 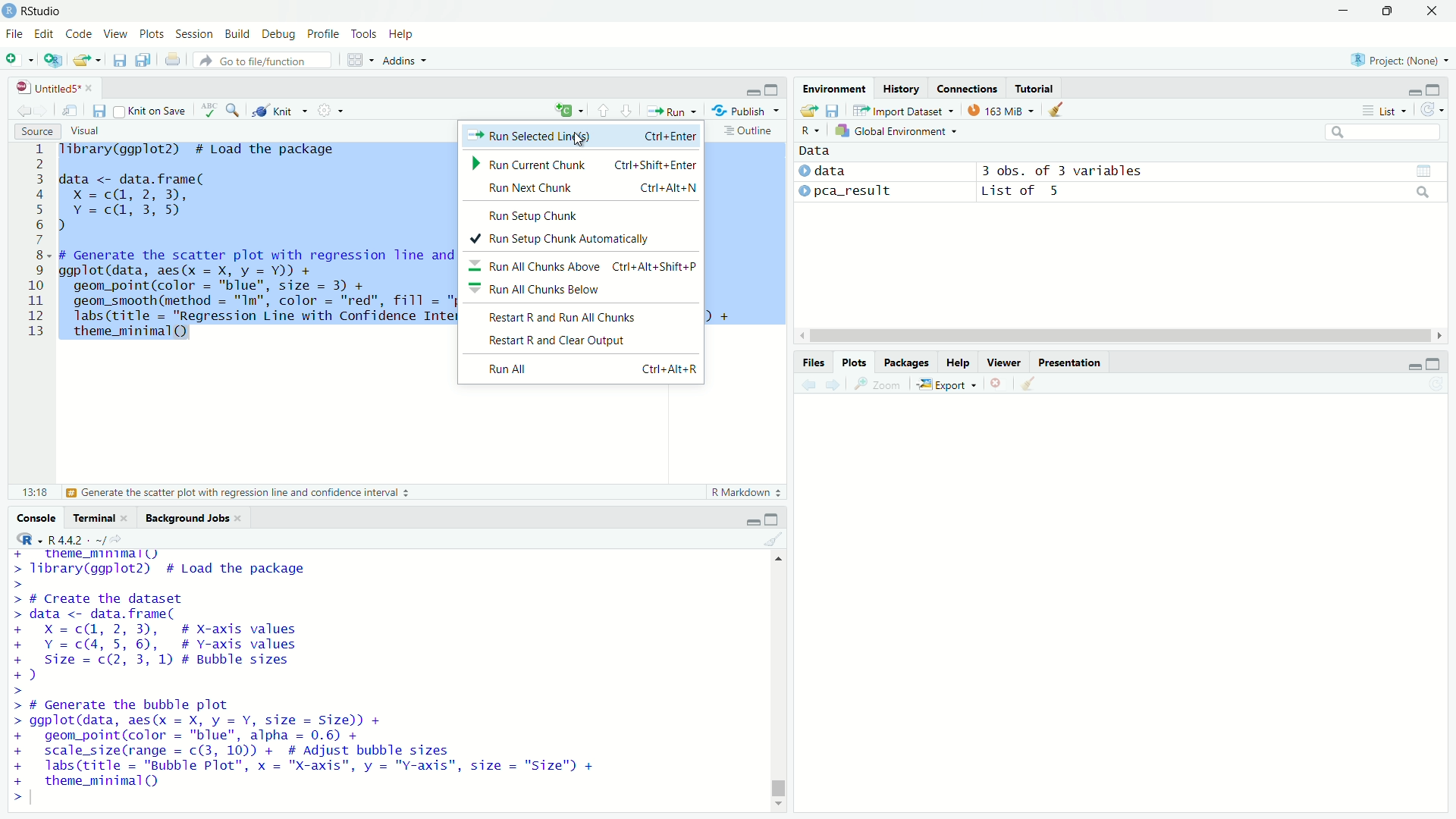 What do you see at coordinates (1431, 110) in the screenshot?
I see `Refresh the list of objects in the environment` at bounding box center [1431, 110].